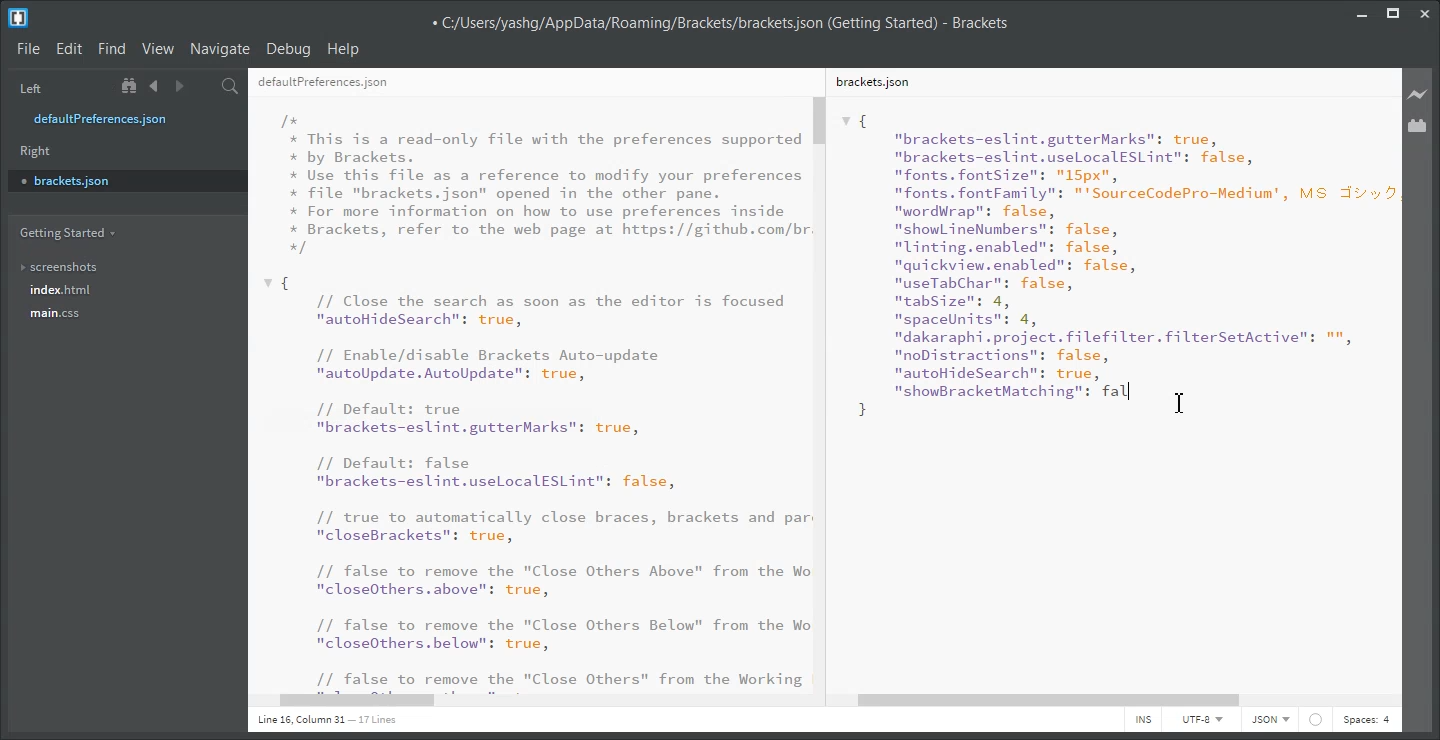 The image size is (1440, 740). Describe the element at coordinates (204, 86) in the screenshot. I see `Split the editor vertically or Horizontally` at that location.